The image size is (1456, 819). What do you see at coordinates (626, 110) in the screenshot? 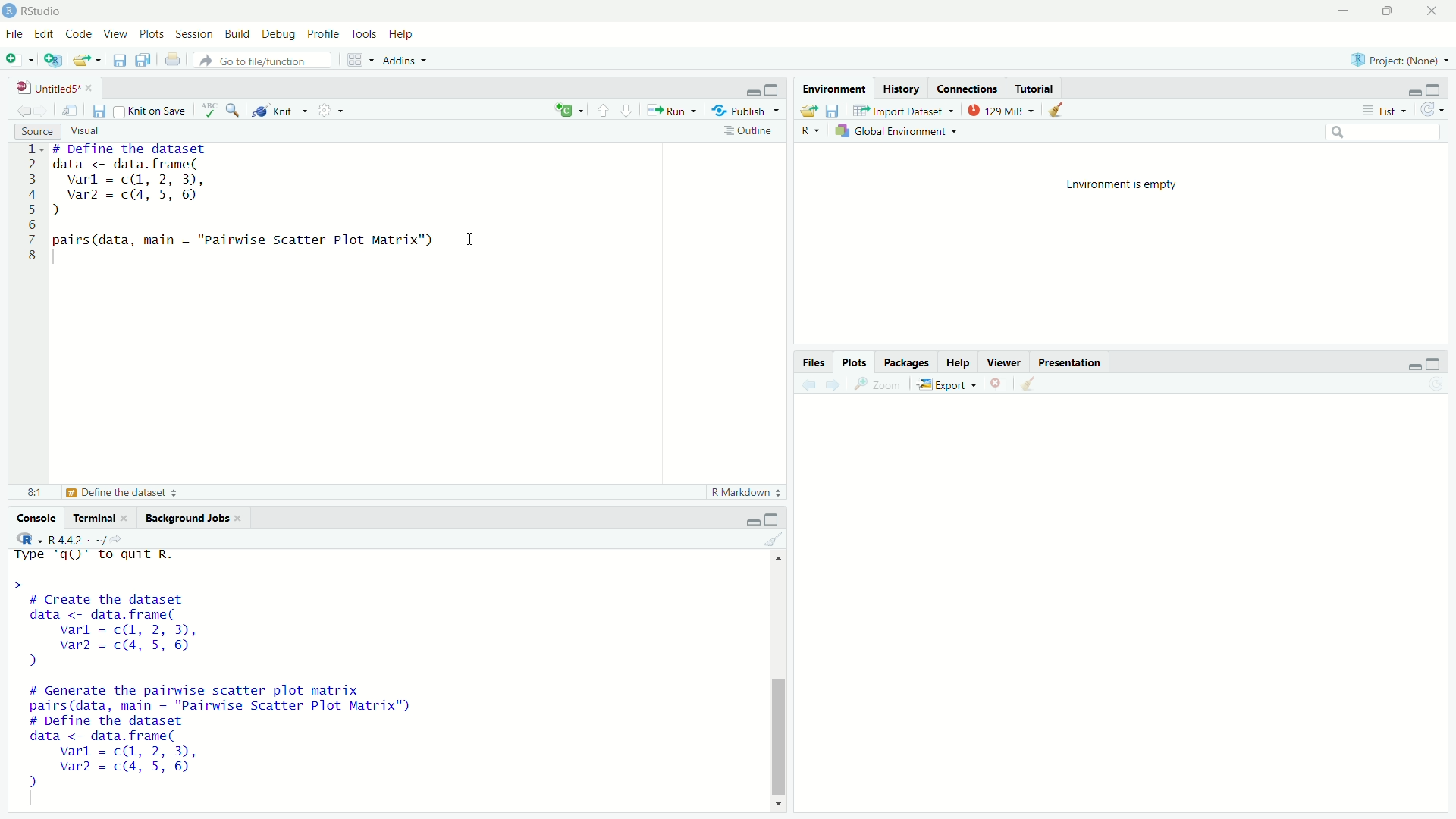
I see `Go to next section/chunk (Ctrl + pgDn)` at bounding box center [626, 110].